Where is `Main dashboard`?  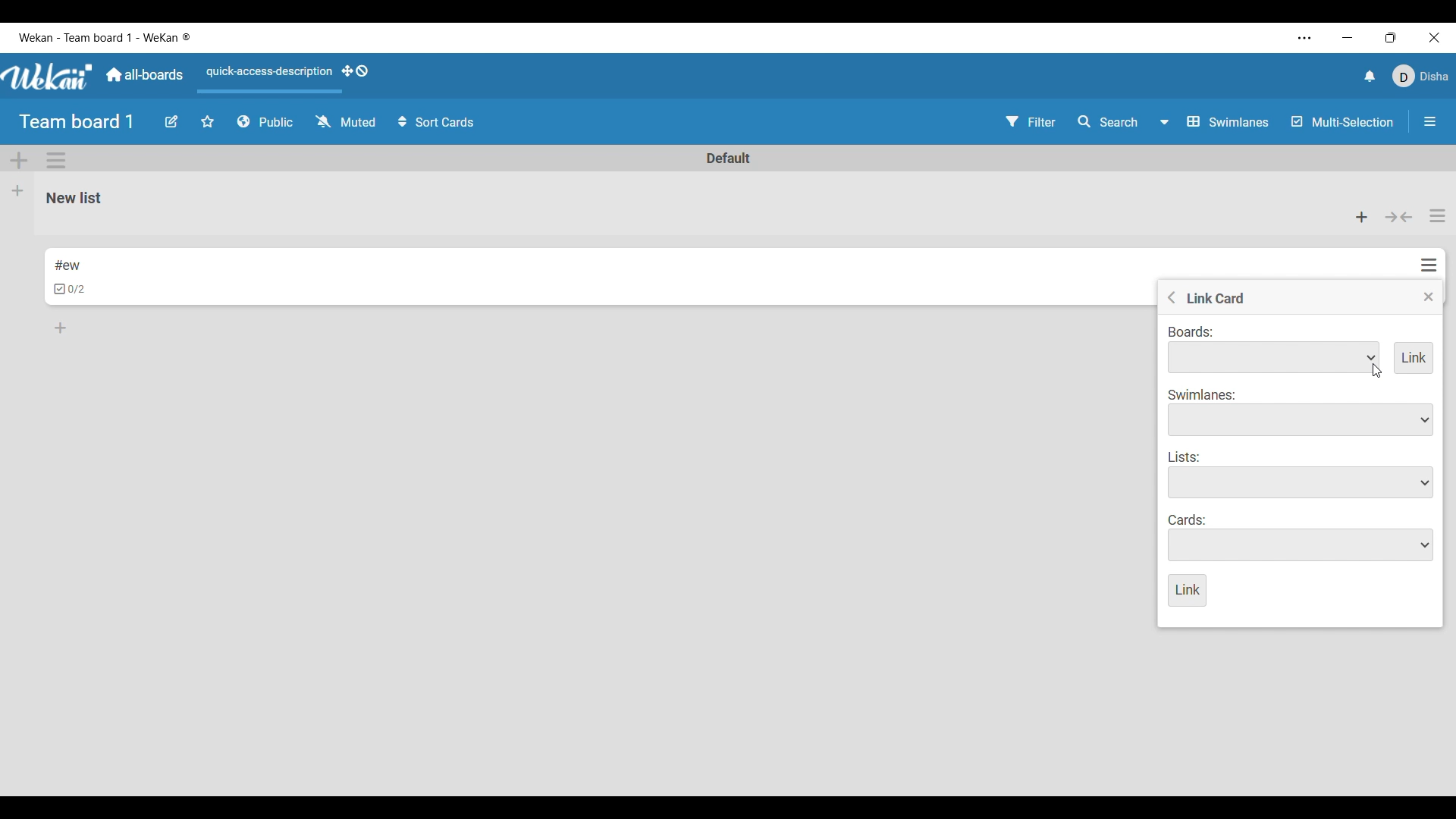 Main dashboard is located at coordinates (145, 75).